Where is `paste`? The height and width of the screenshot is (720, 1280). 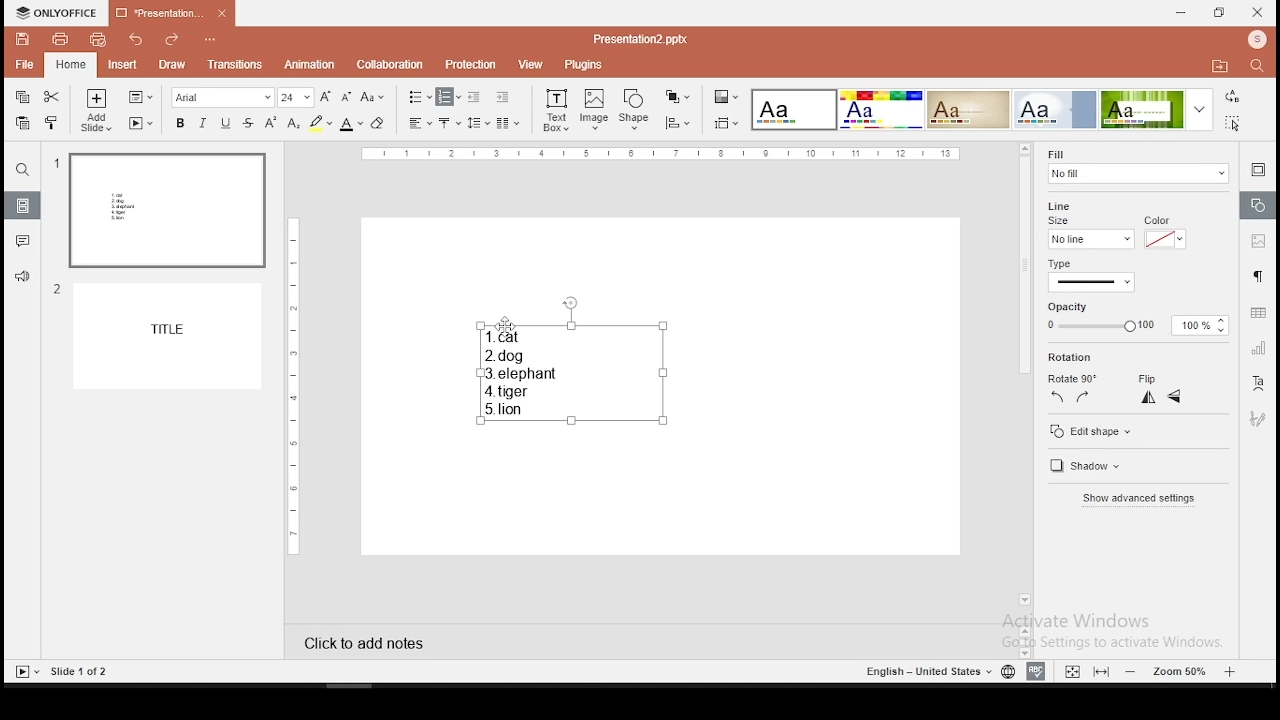
paste is located at coordinates (24, 124).